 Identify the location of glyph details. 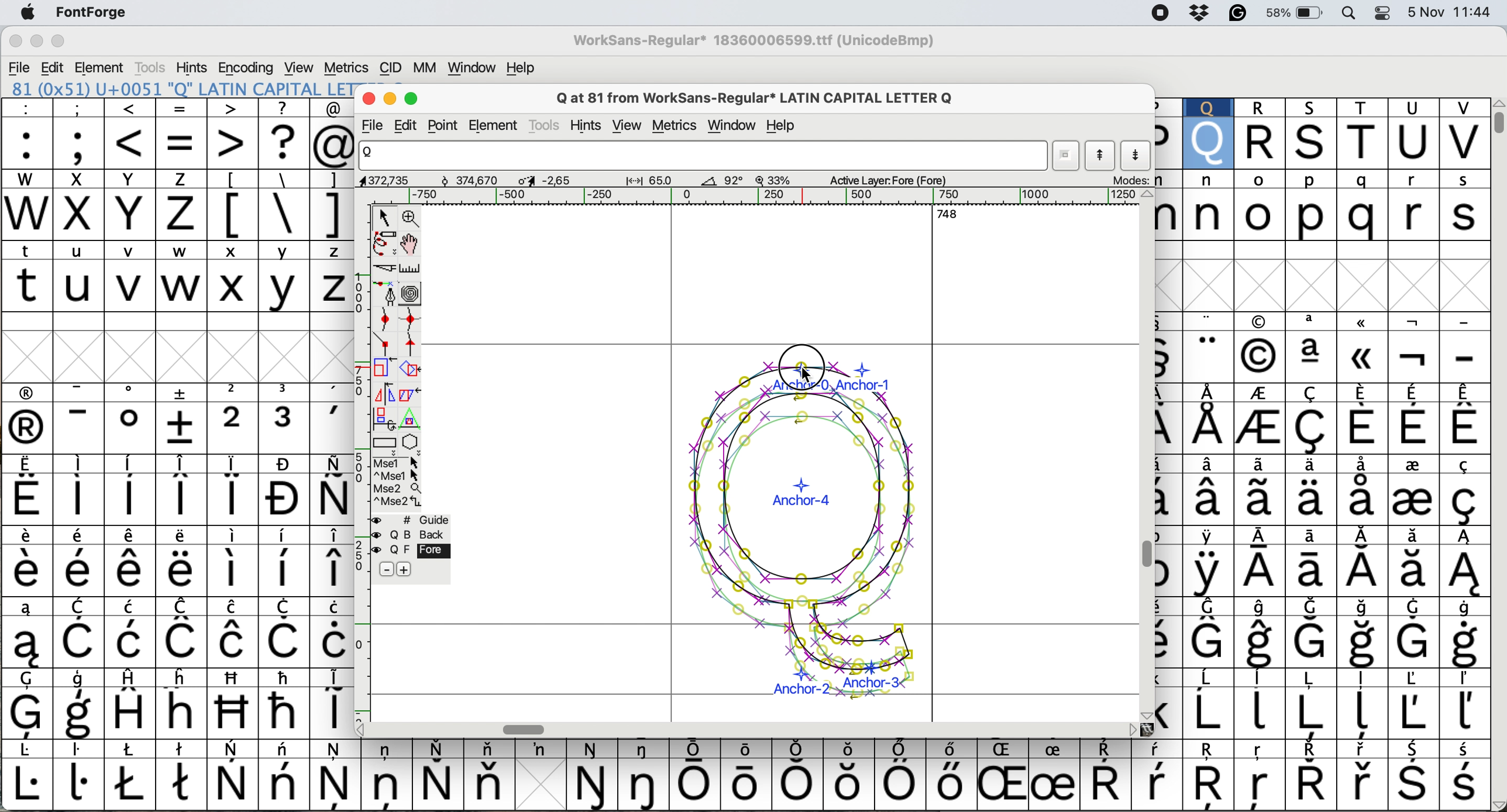
(669, 182).